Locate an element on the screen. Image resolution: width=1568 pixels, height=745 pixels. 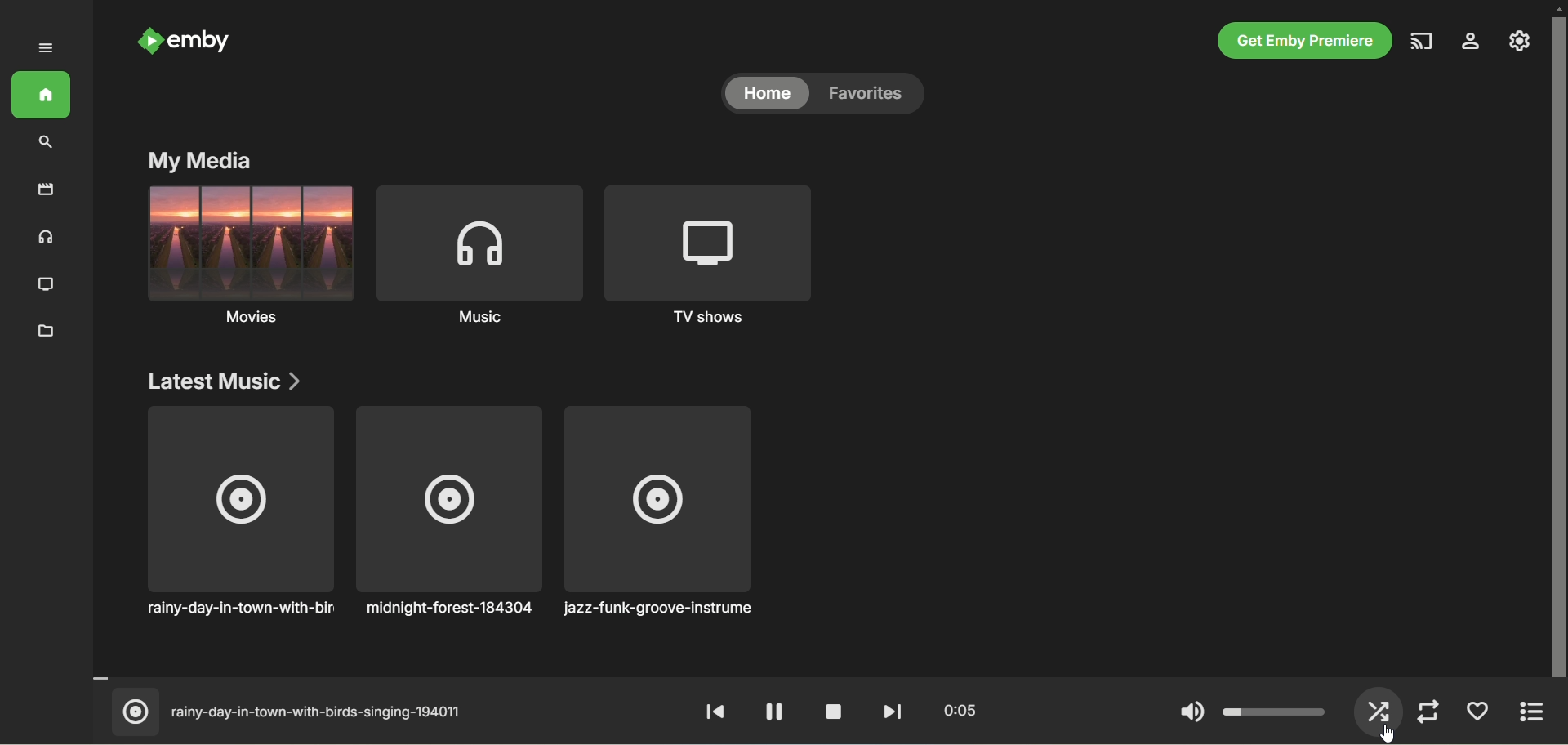
folder is located at coordinates (46, 329).